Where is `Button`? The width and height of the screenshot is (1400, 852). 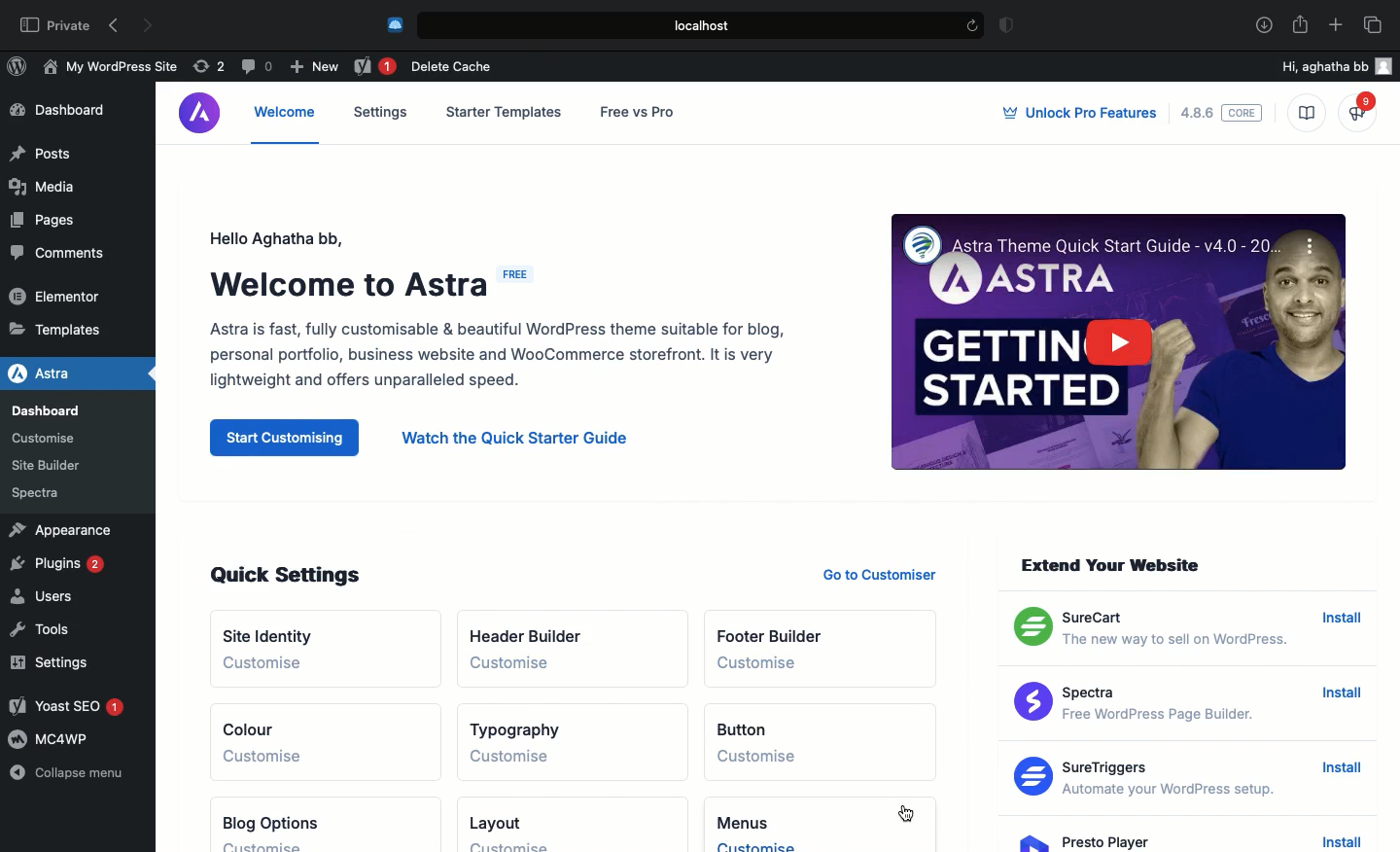 Button is located at coordinates (744, 728).